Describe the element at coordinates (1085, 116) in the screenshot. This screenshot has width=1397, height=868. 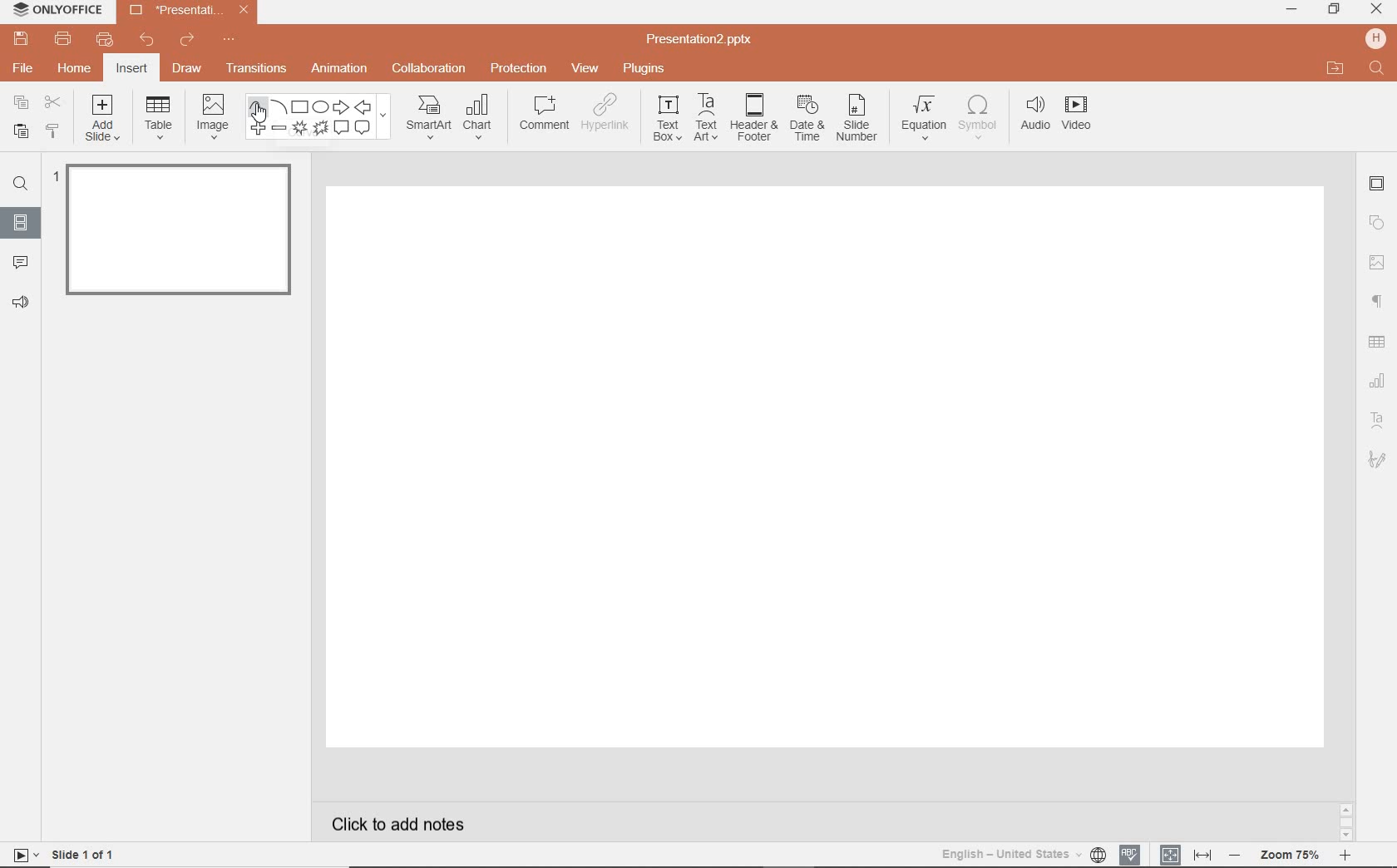
I see `VIDEO` at that location.